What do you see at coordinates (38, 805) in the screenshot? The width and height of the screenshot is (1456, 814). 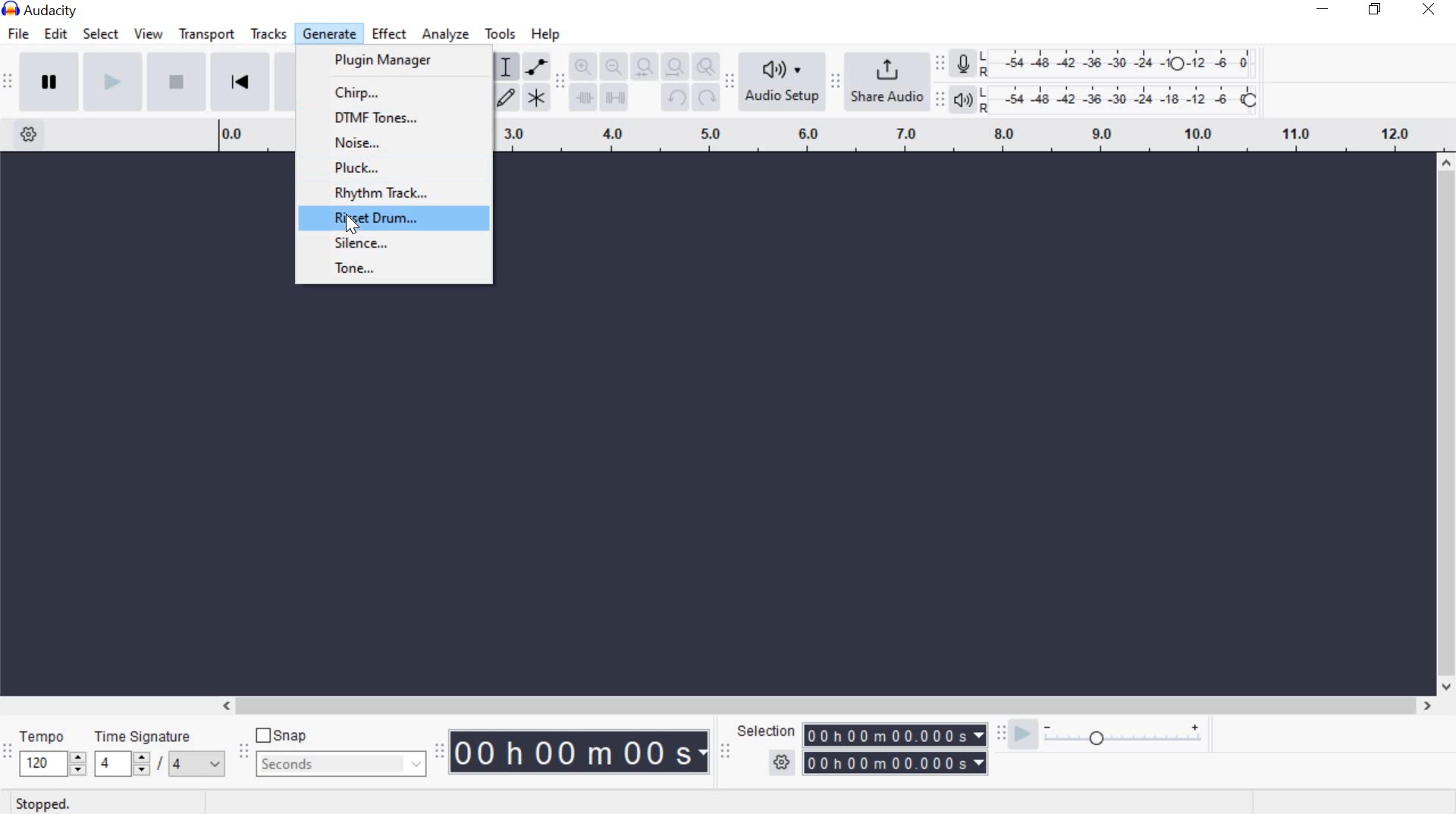 I see `stopped` at bounding box center [38, 805].